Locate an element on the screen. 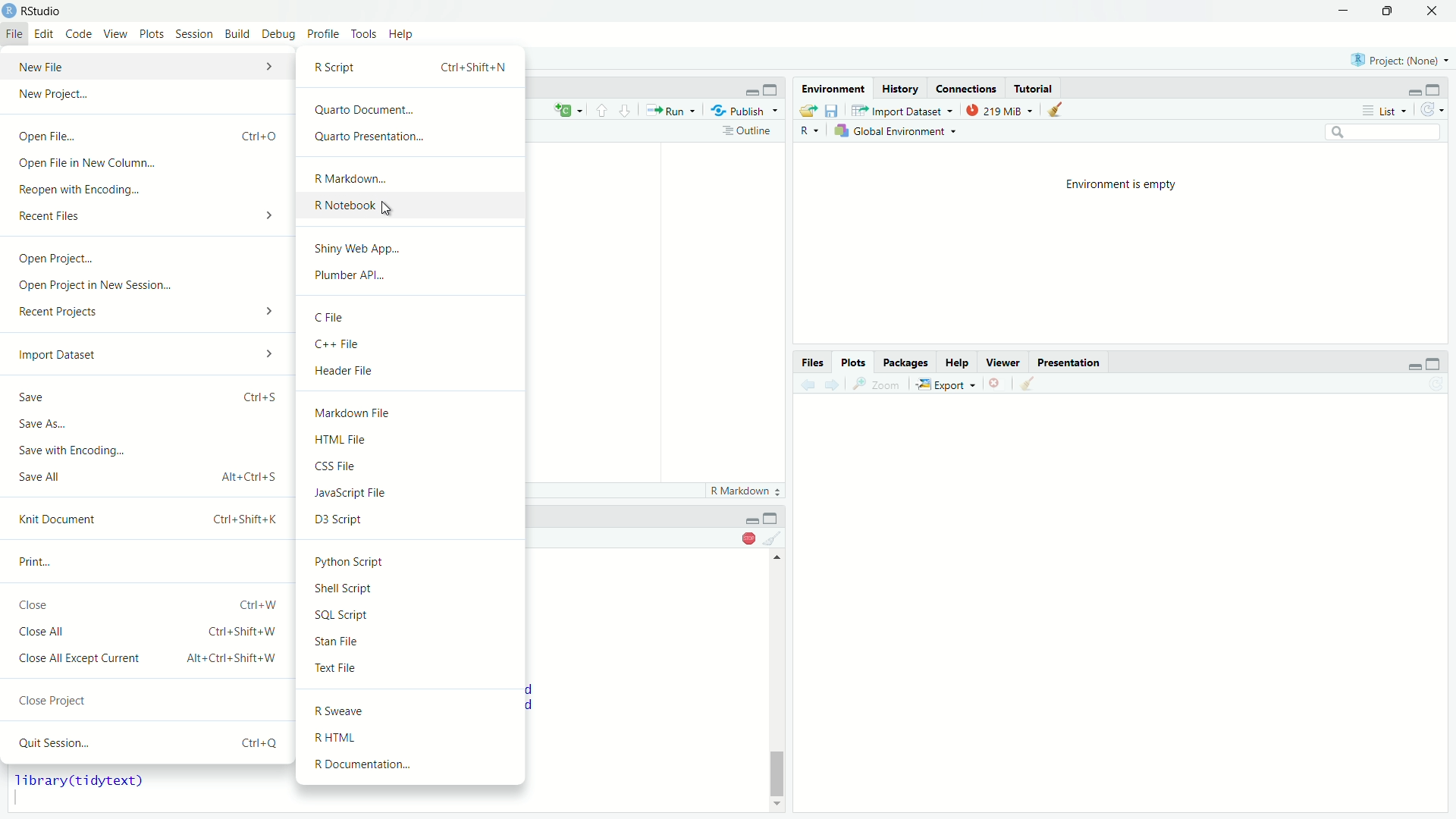 The height and width of the screenshot is (819, 1456). Close All is located at coordinates (150, 630).